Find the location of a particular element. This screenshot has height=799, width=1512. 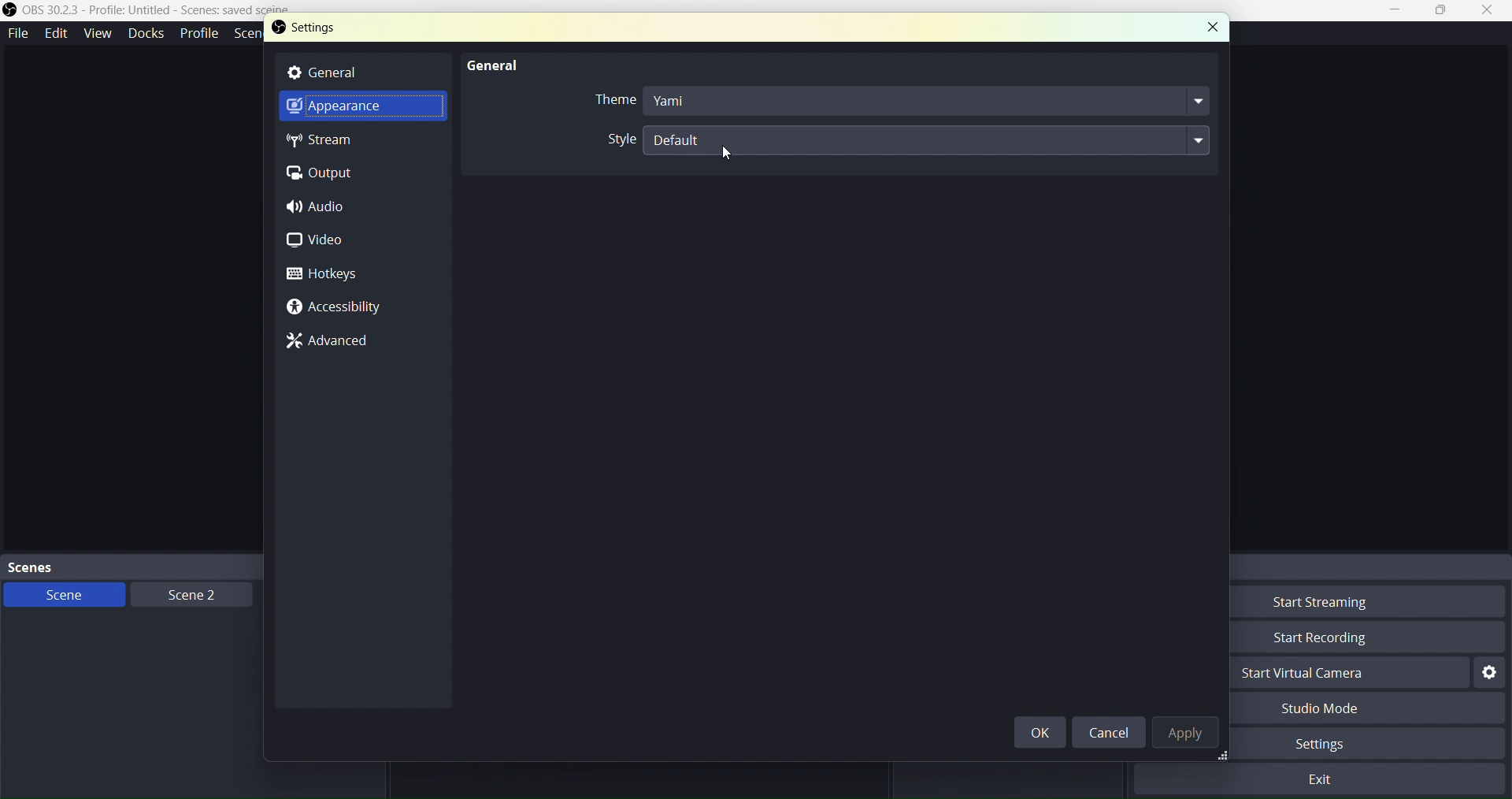

Studio Mode is located at coordinates (1348, 709).